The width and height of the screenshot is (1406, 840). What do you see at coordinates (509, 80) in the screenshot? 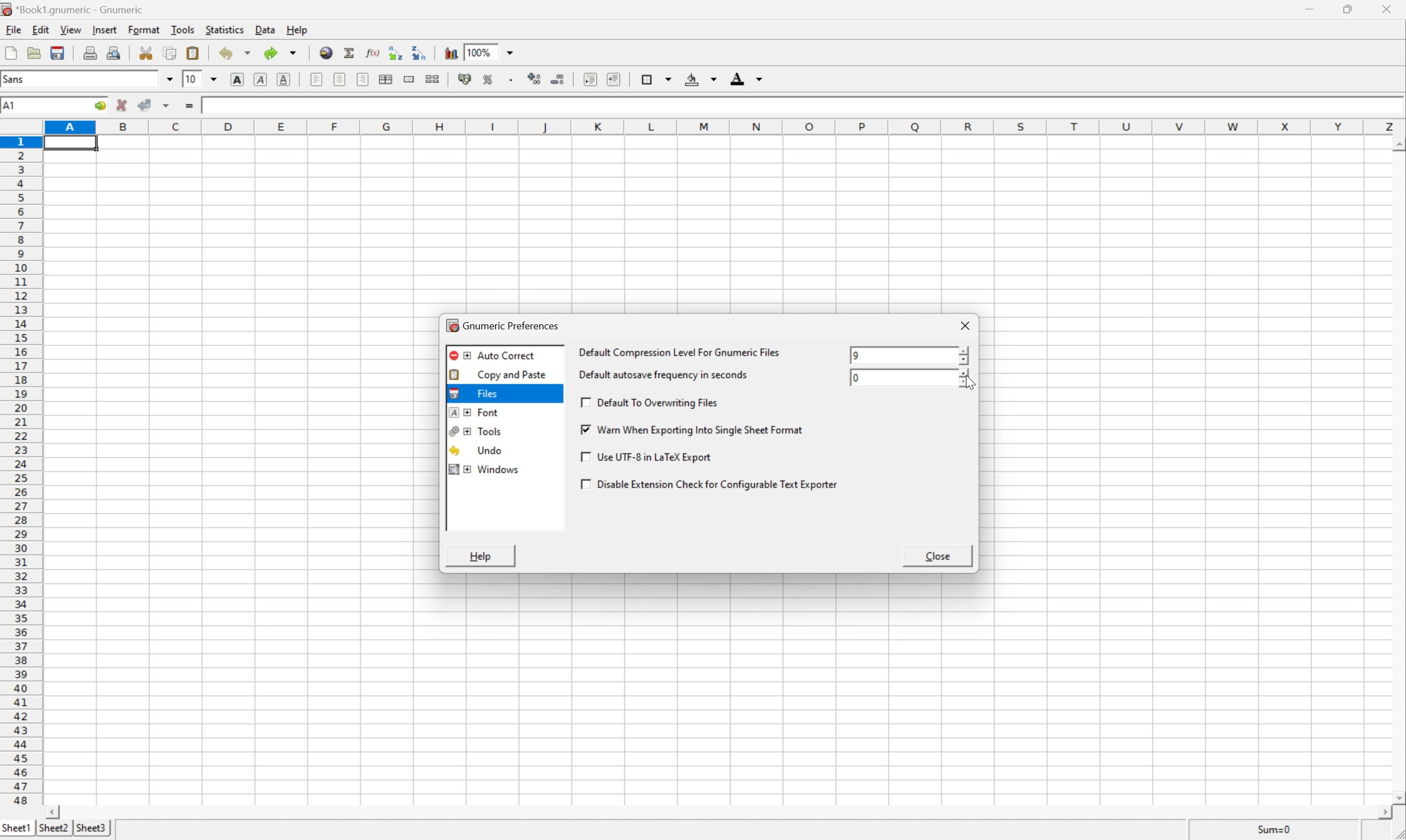
I see `Set the format of the selected cells to include a thousands separator` at bounding box center [509, 80].